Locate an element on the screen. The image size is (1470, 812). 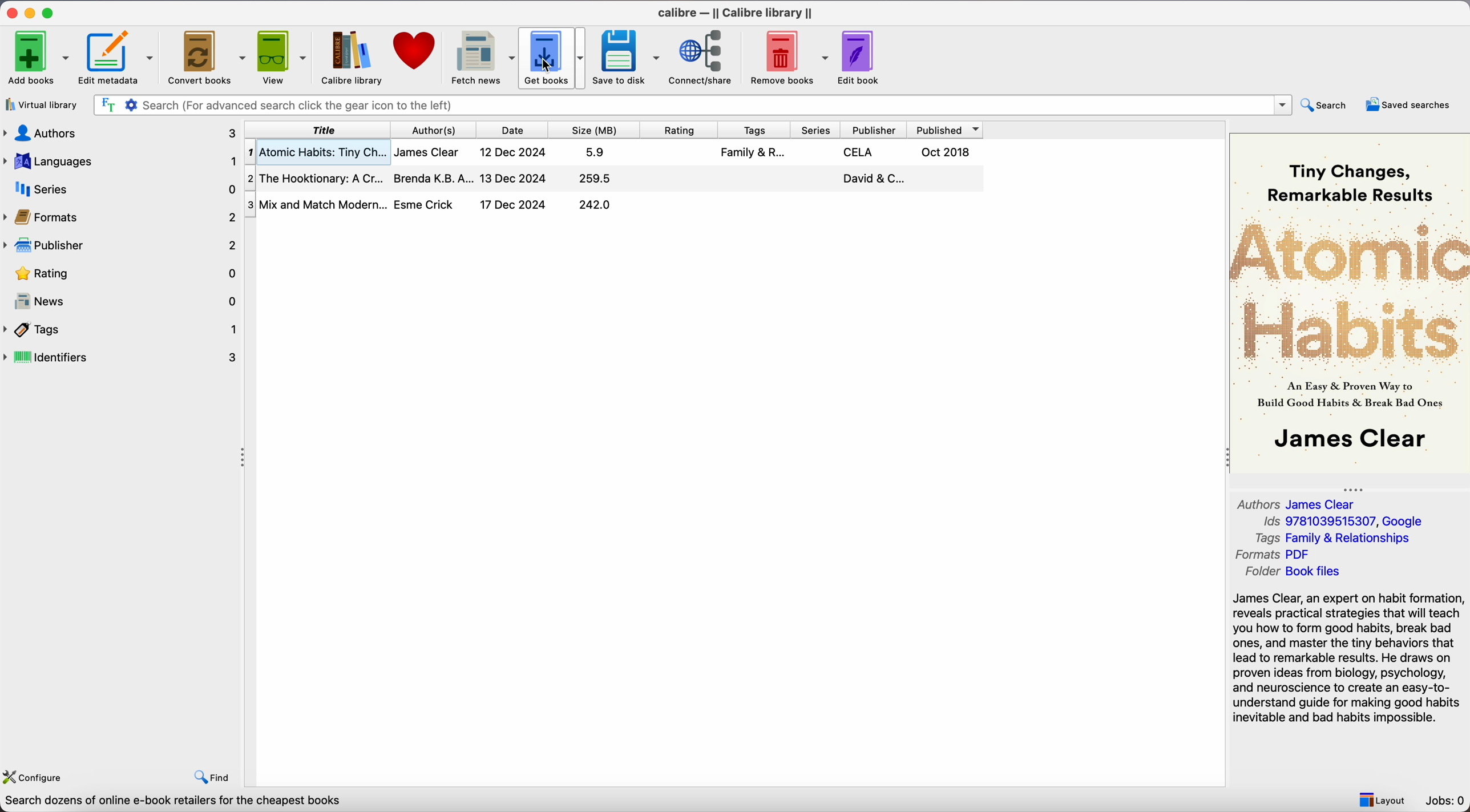
Oct 2018 is located at coordinates (947, 151).